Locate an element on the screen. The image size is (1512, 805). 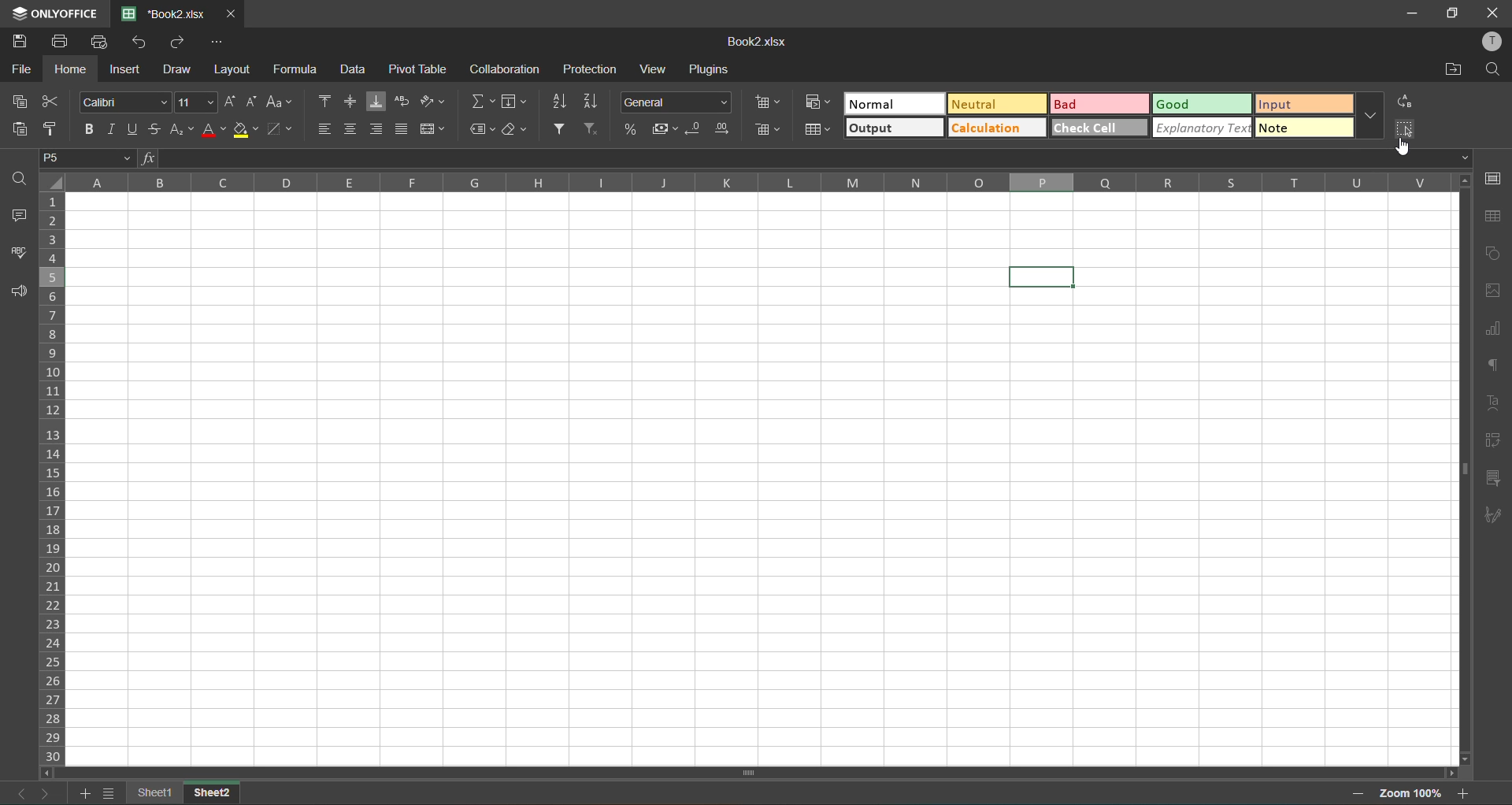
next is located at coordinates (46, 793).